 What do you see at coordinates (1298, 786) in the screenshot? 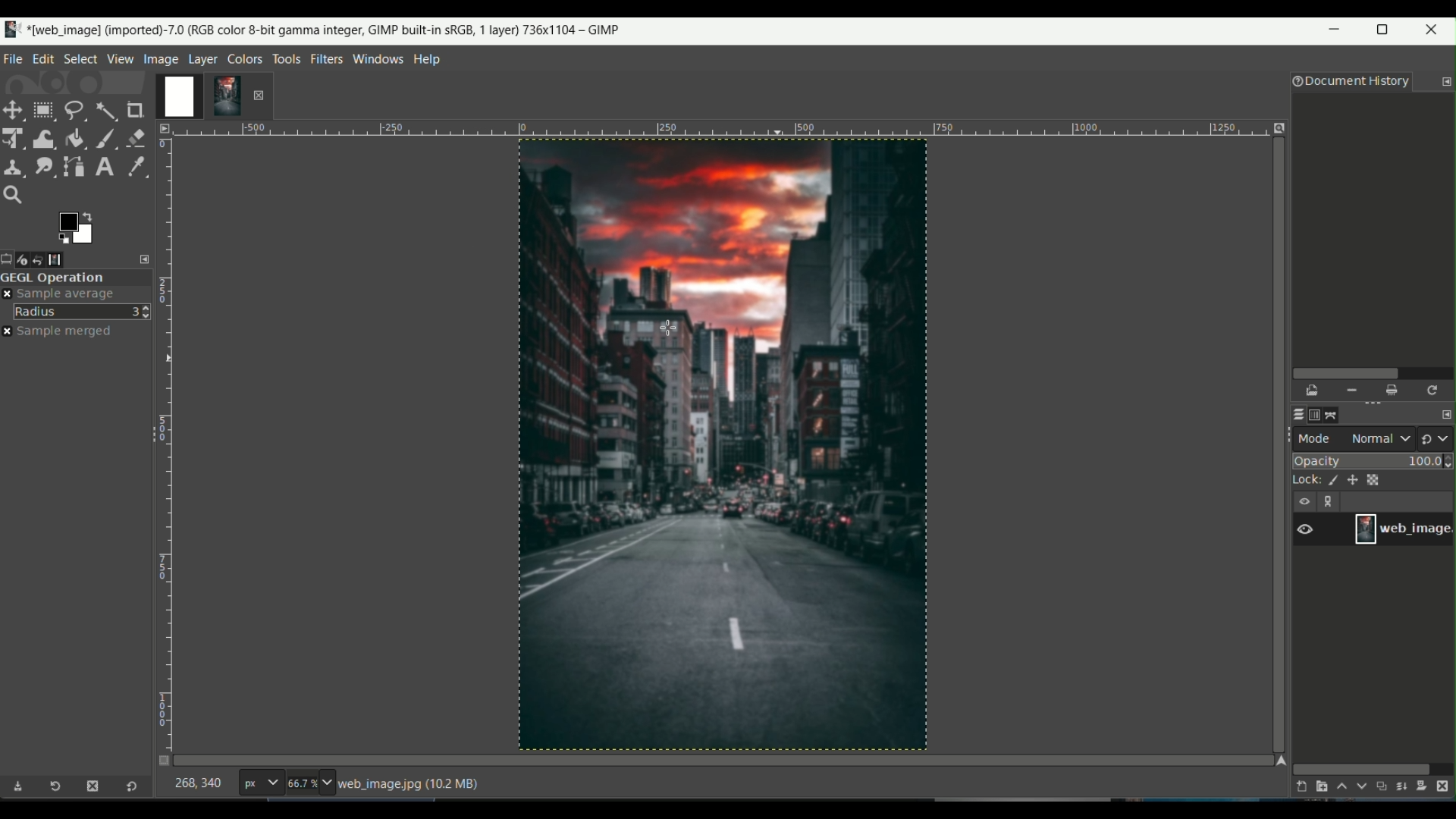
I see `create new layer` at bounding box center [1298, 786].